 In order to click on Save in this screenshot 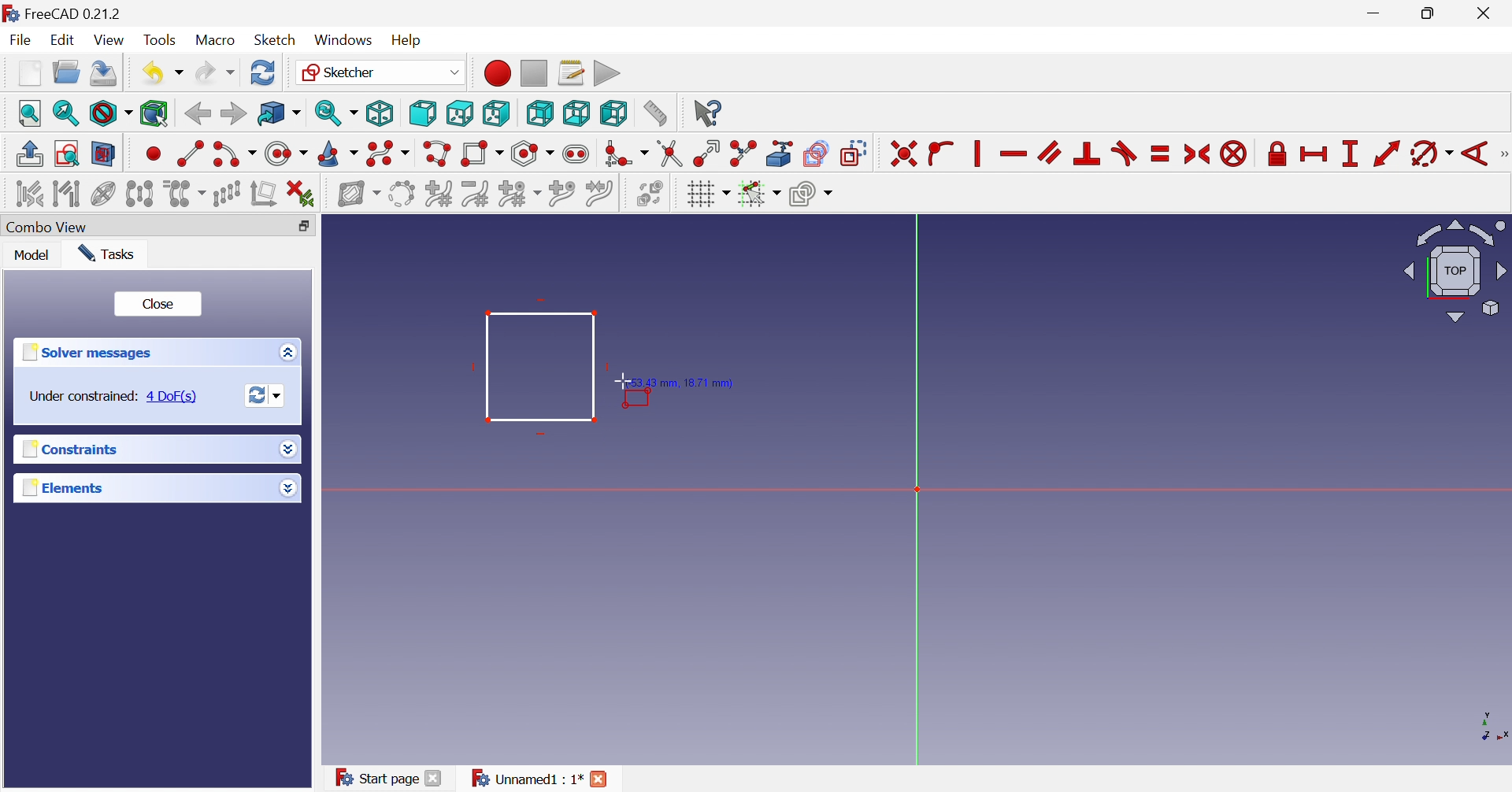, I will do `click(104, 73)`.